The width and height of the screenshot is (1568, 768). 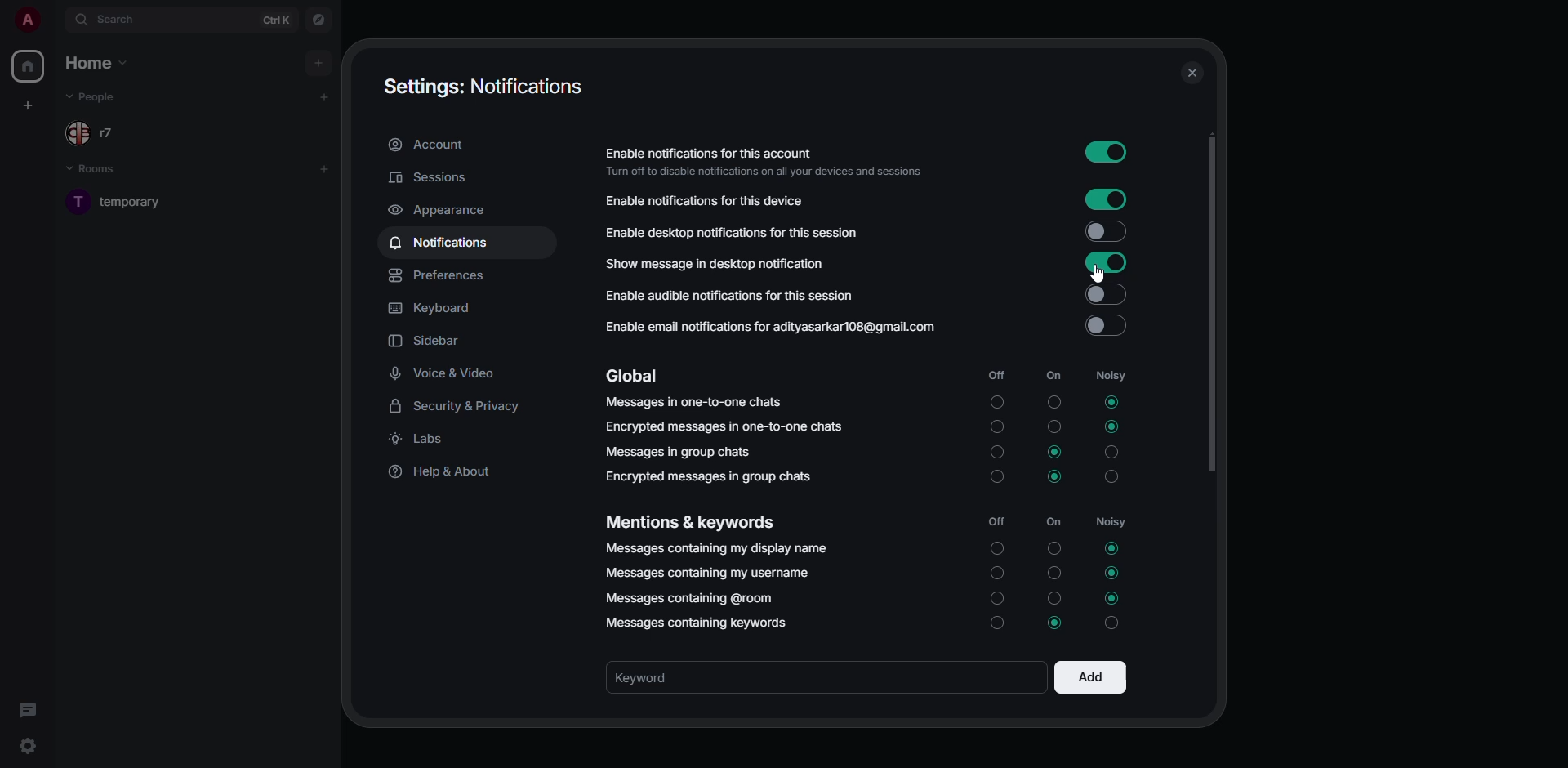 What do you see at coordinates (1192, 74) in the screenshot?
I see `close` at bounding box center [1192, 74].